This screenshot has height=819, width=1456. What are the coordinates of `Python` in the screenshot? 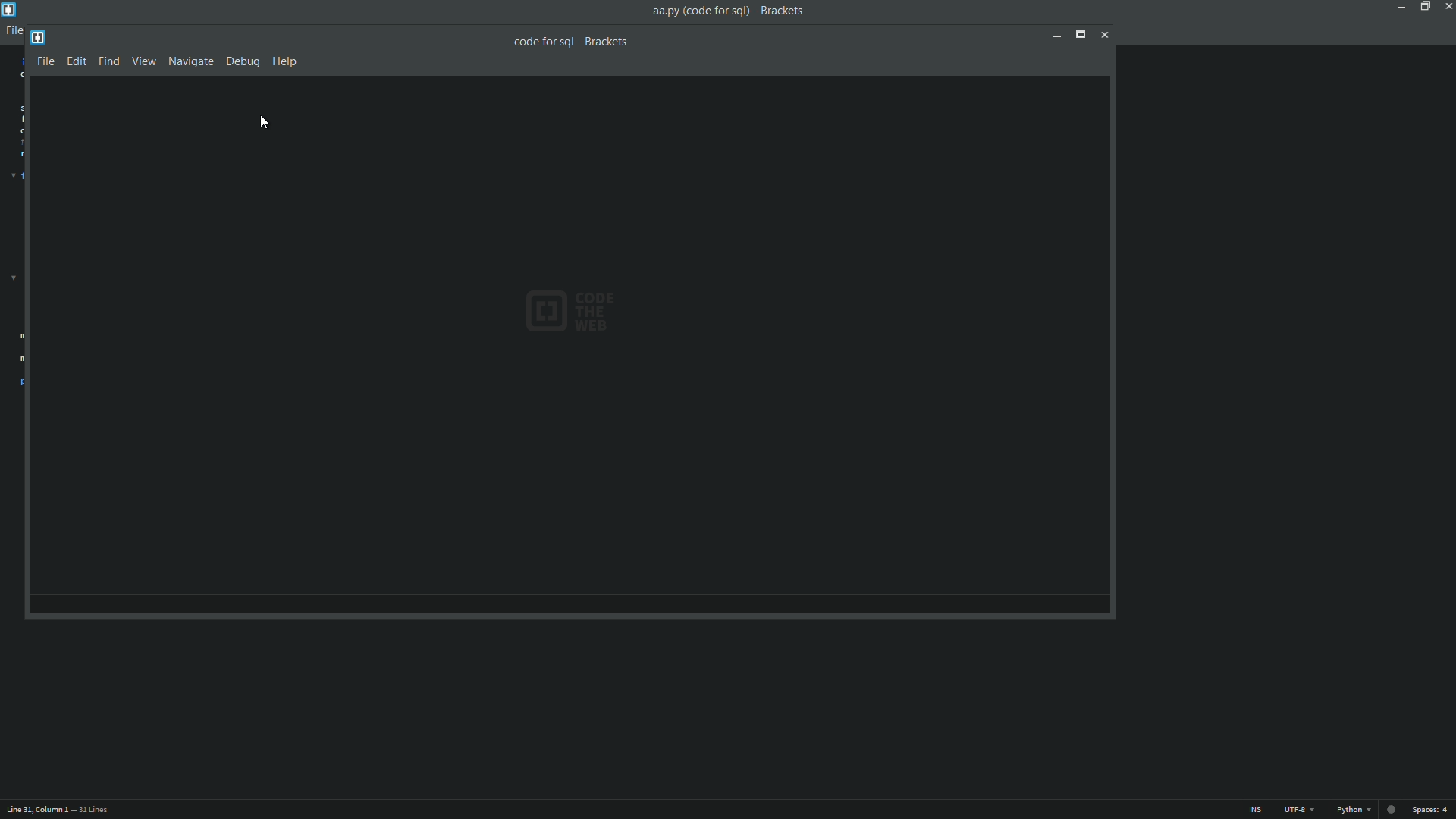 It's located at (1350, 810).